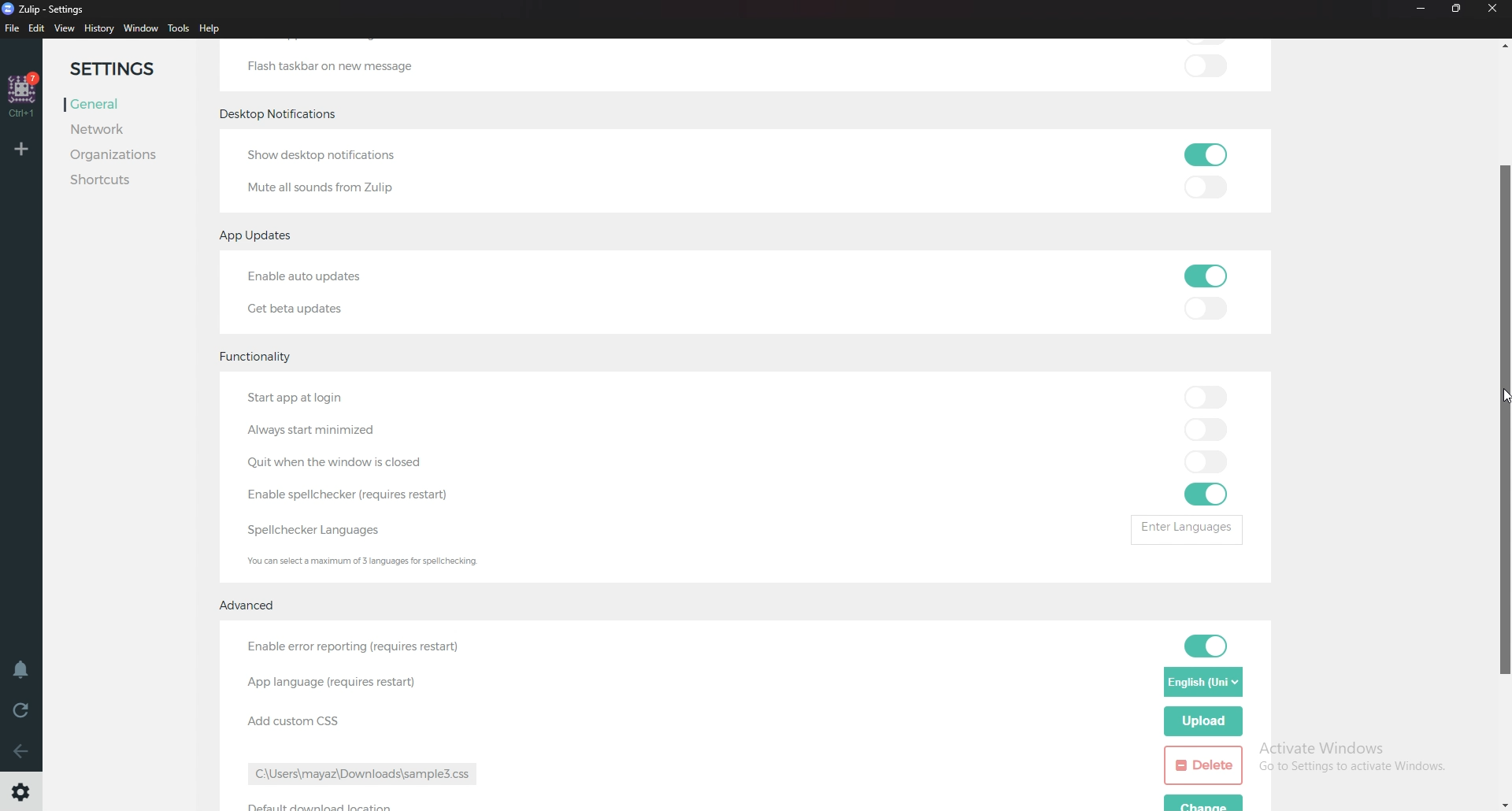  I want to click on quit when Windows is closed, so click(350, 462).